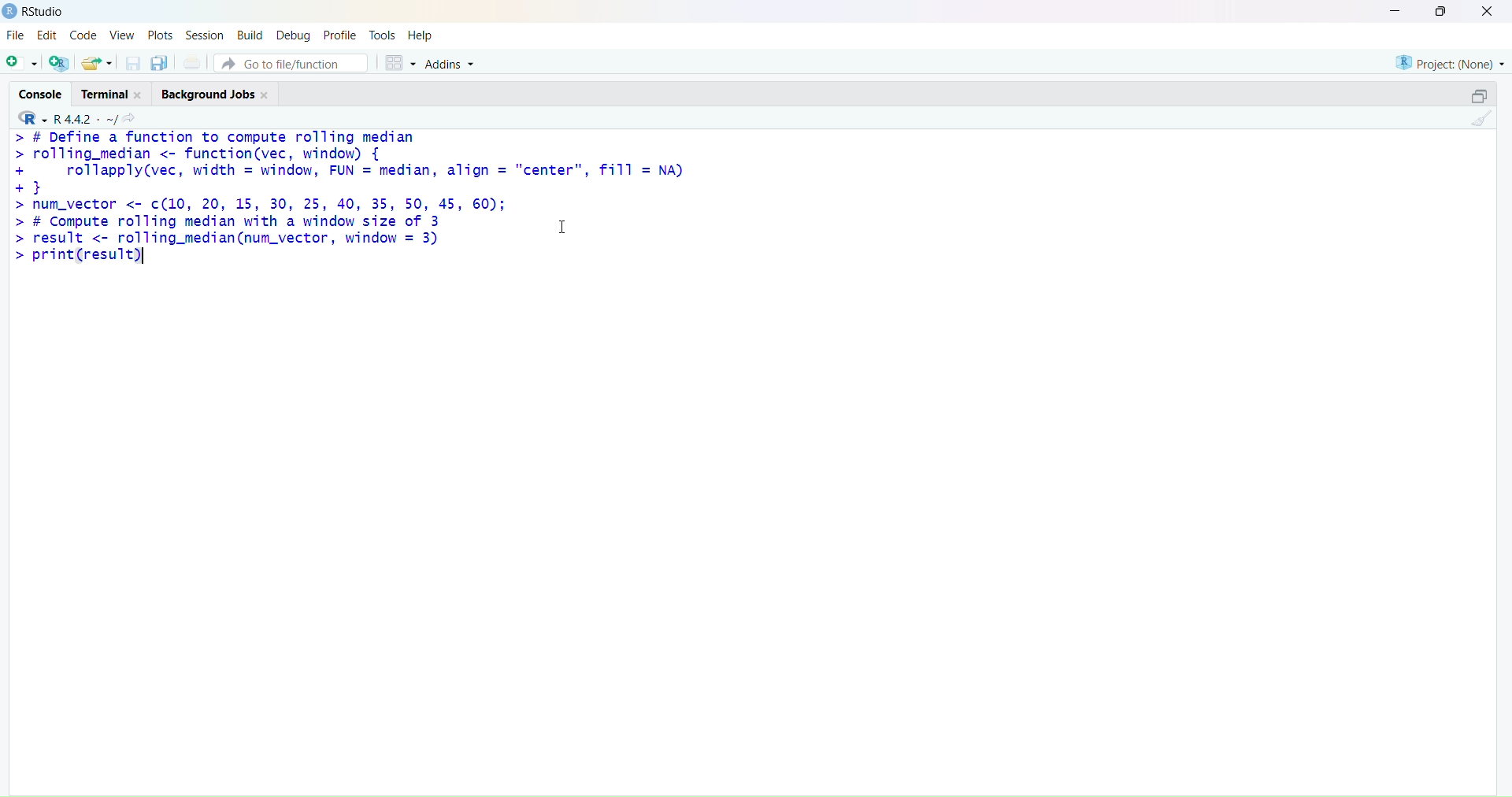 The width and height of the screenshot is (1512, 797). What do you see at coordinates (564, 226) in the screenshot?
I see `cursor` at bounding box center [564, 226].